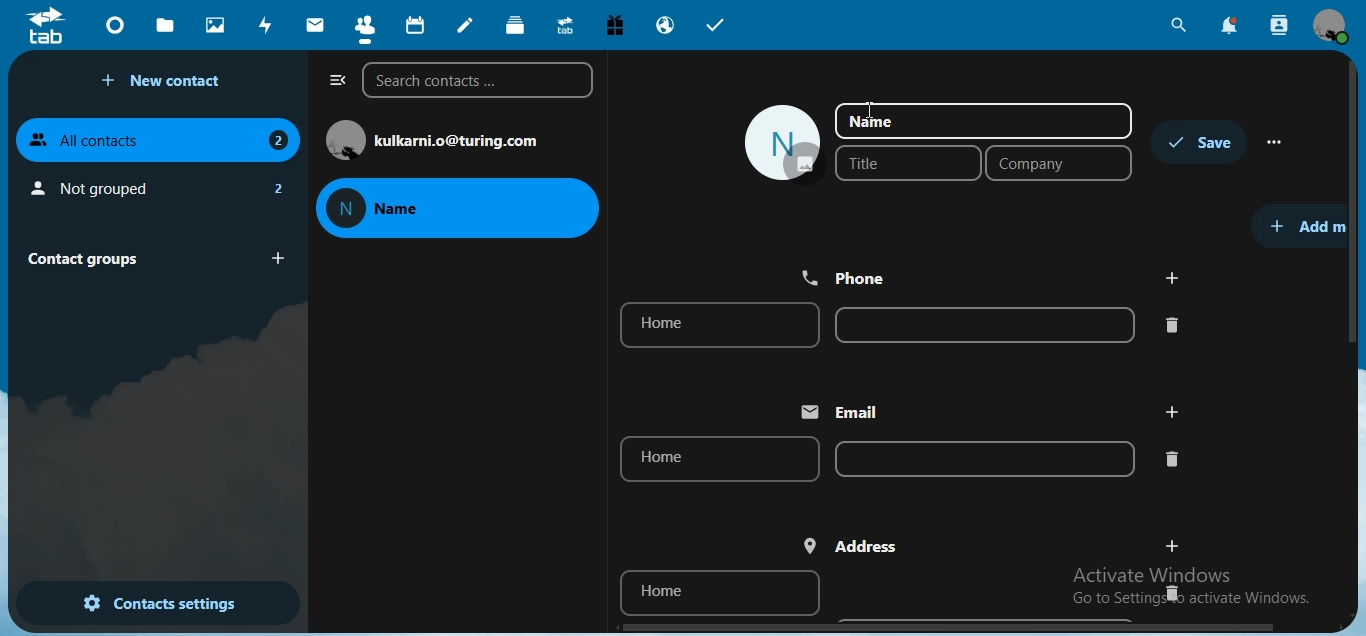 Image resolution: width=1366 pixels, height=636 pixels. I want to click on , so click(983, 457).